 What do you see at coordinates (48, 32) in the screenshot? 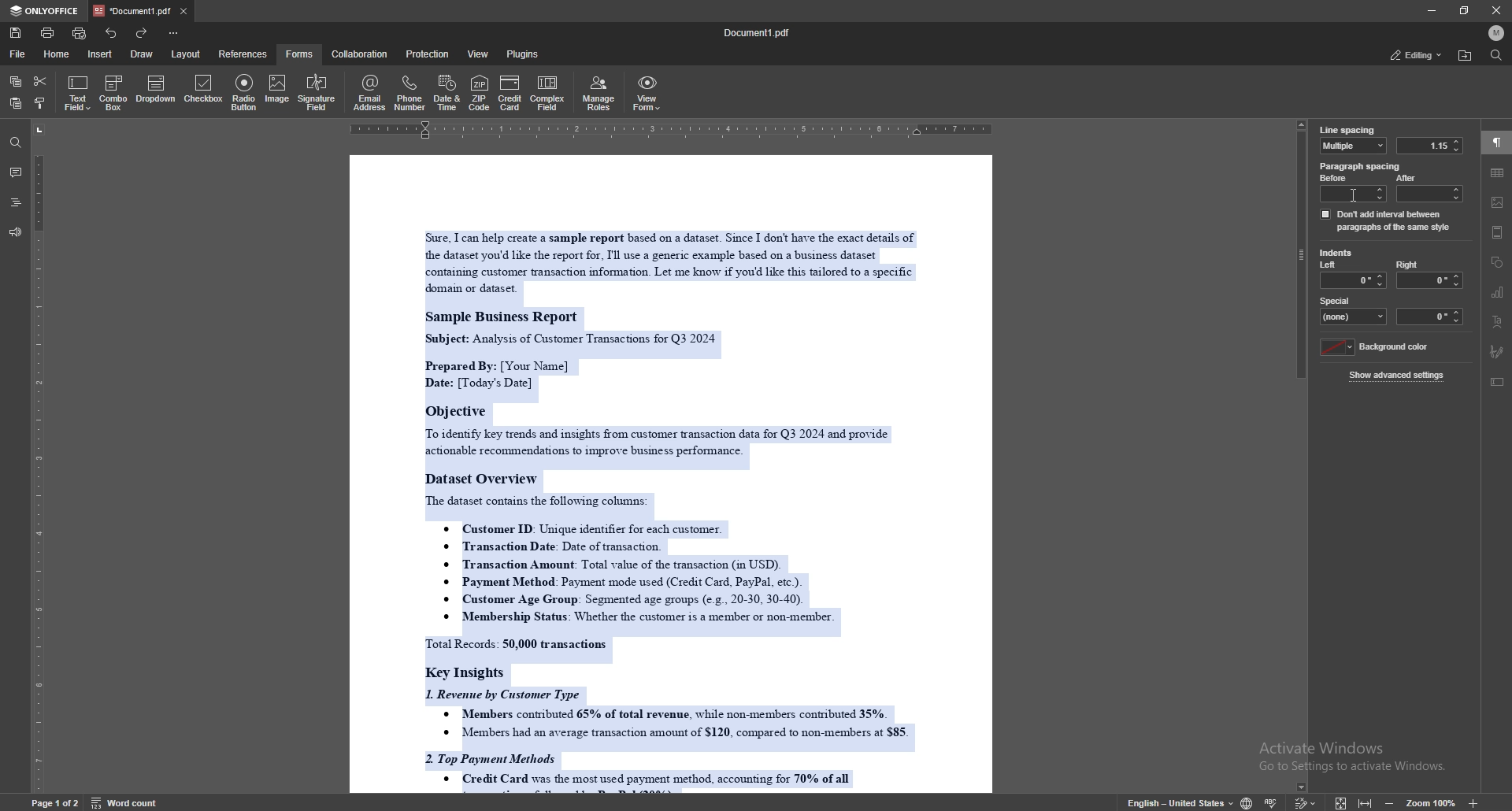
I see `print` at bounding box center [48, 32].